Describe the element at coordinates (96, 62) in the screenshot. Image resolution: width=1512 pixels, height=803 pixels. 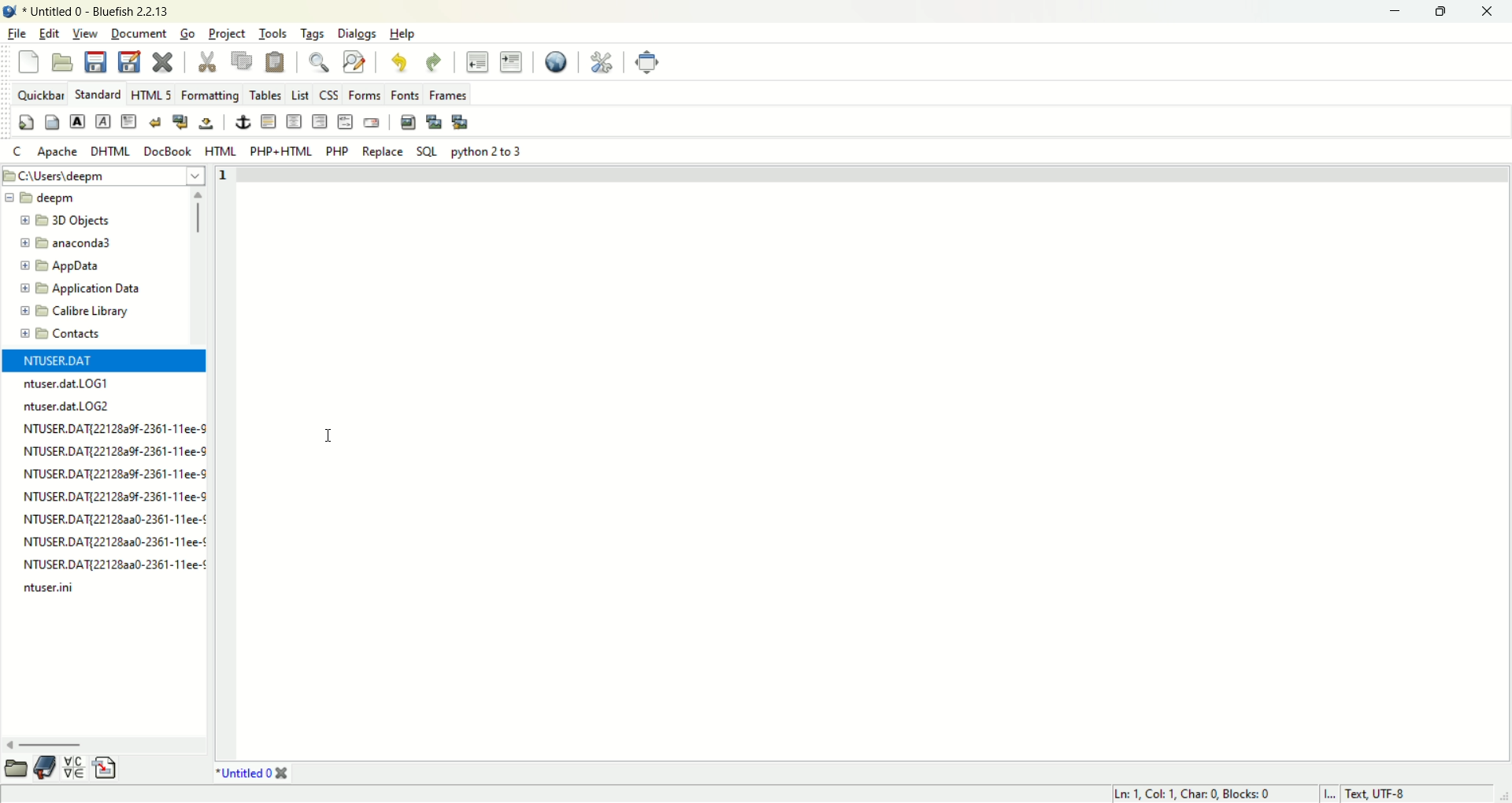
I see `save` at that location.